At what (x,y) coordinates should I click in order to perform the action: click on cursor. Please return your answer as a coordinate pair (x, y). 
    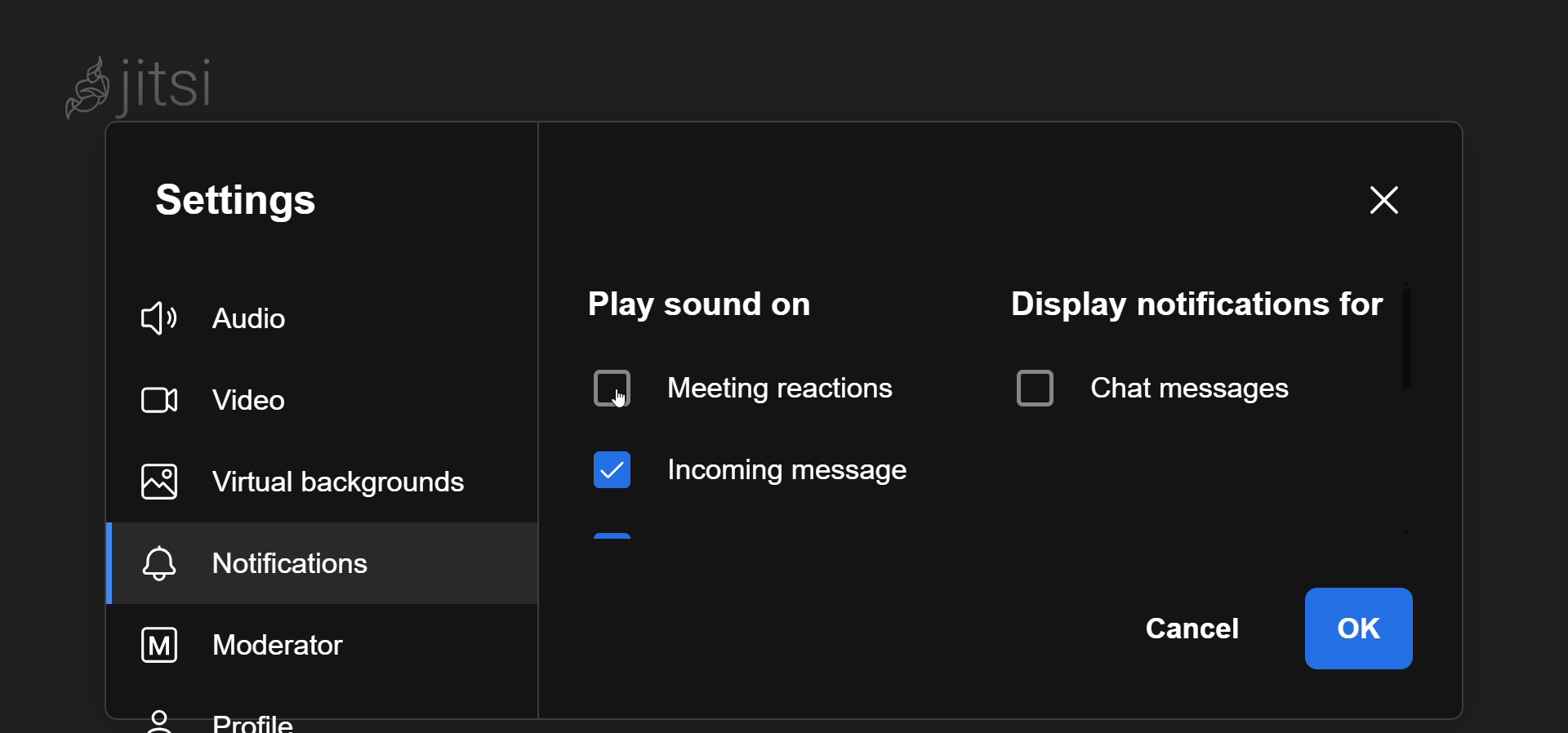
    Looking at the image, I should click on (640, 397).